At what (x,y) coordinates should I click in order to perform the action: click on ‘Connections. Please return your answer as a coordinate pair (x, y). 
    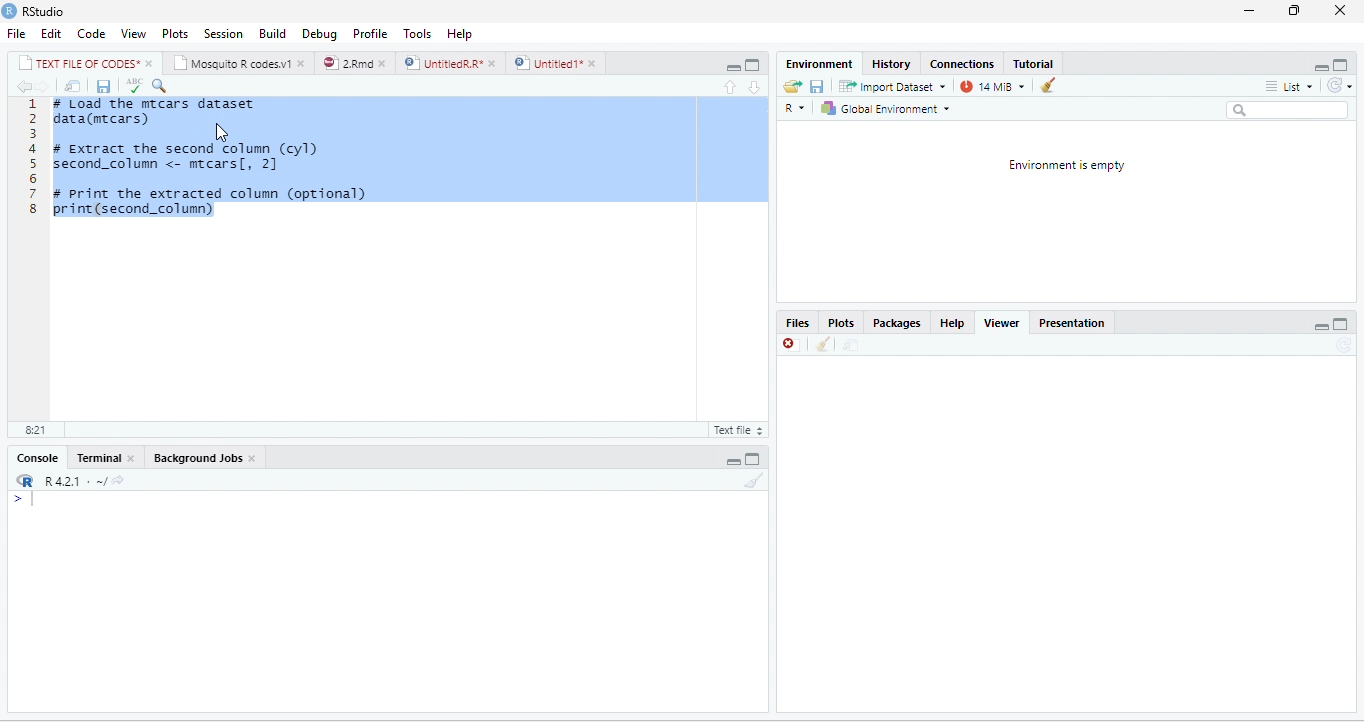
    Looking at the image, I should click on (961, 64).